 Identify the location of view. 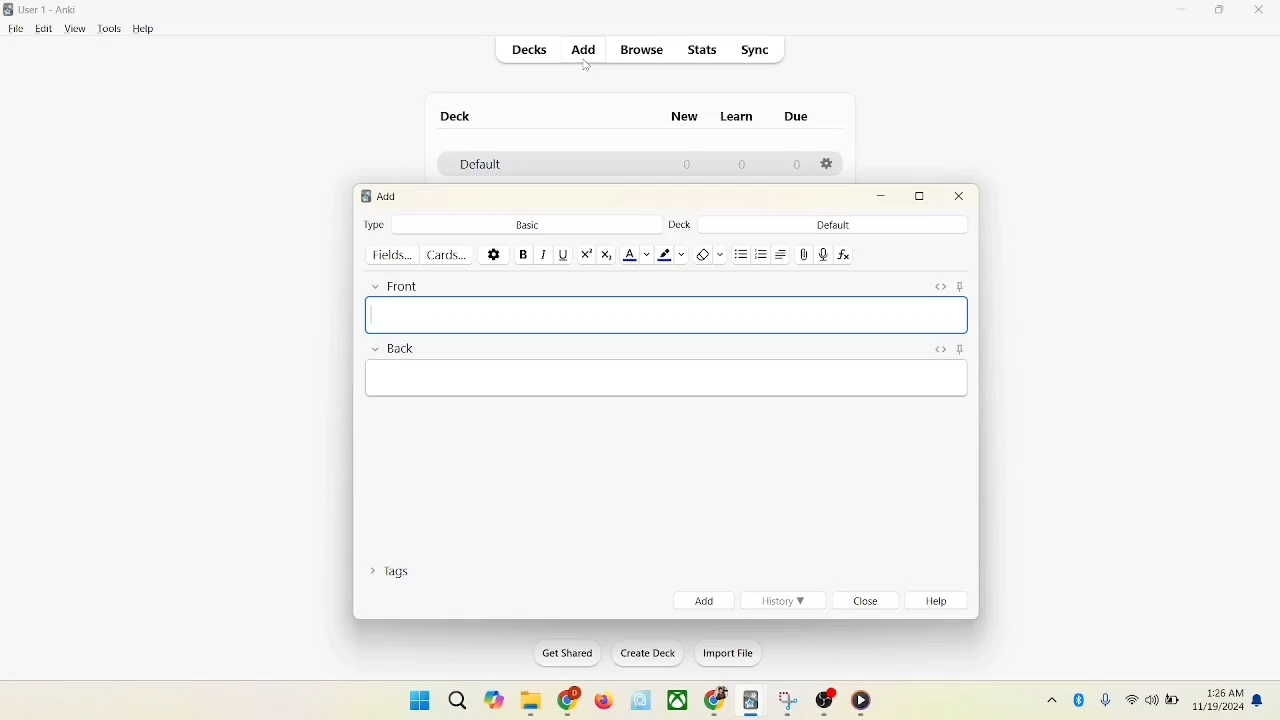
(77, 30).